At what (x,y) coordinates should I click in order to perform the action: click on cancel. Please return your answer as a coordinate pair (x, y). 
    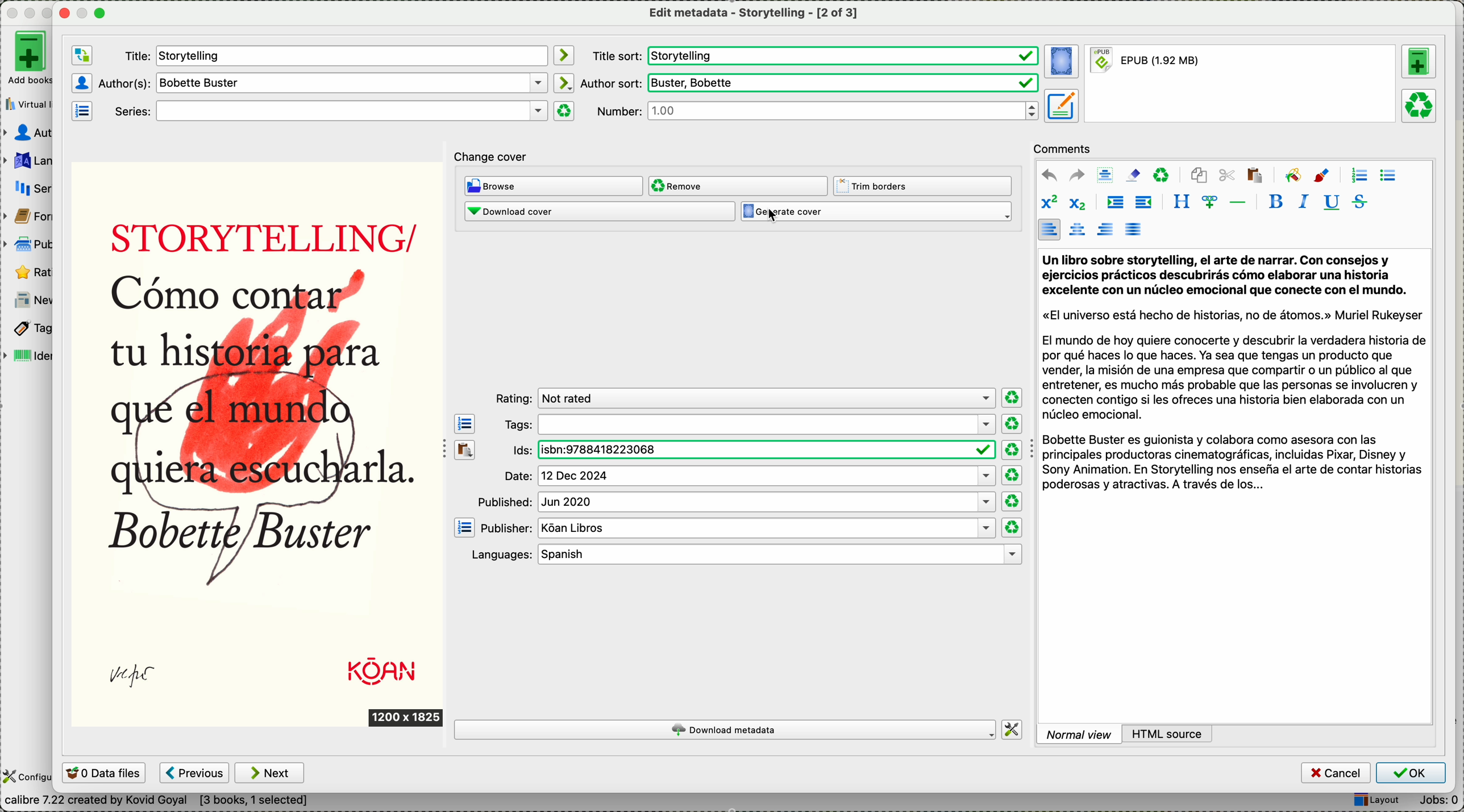
    Looking at the image, I should click on (1335, 772).